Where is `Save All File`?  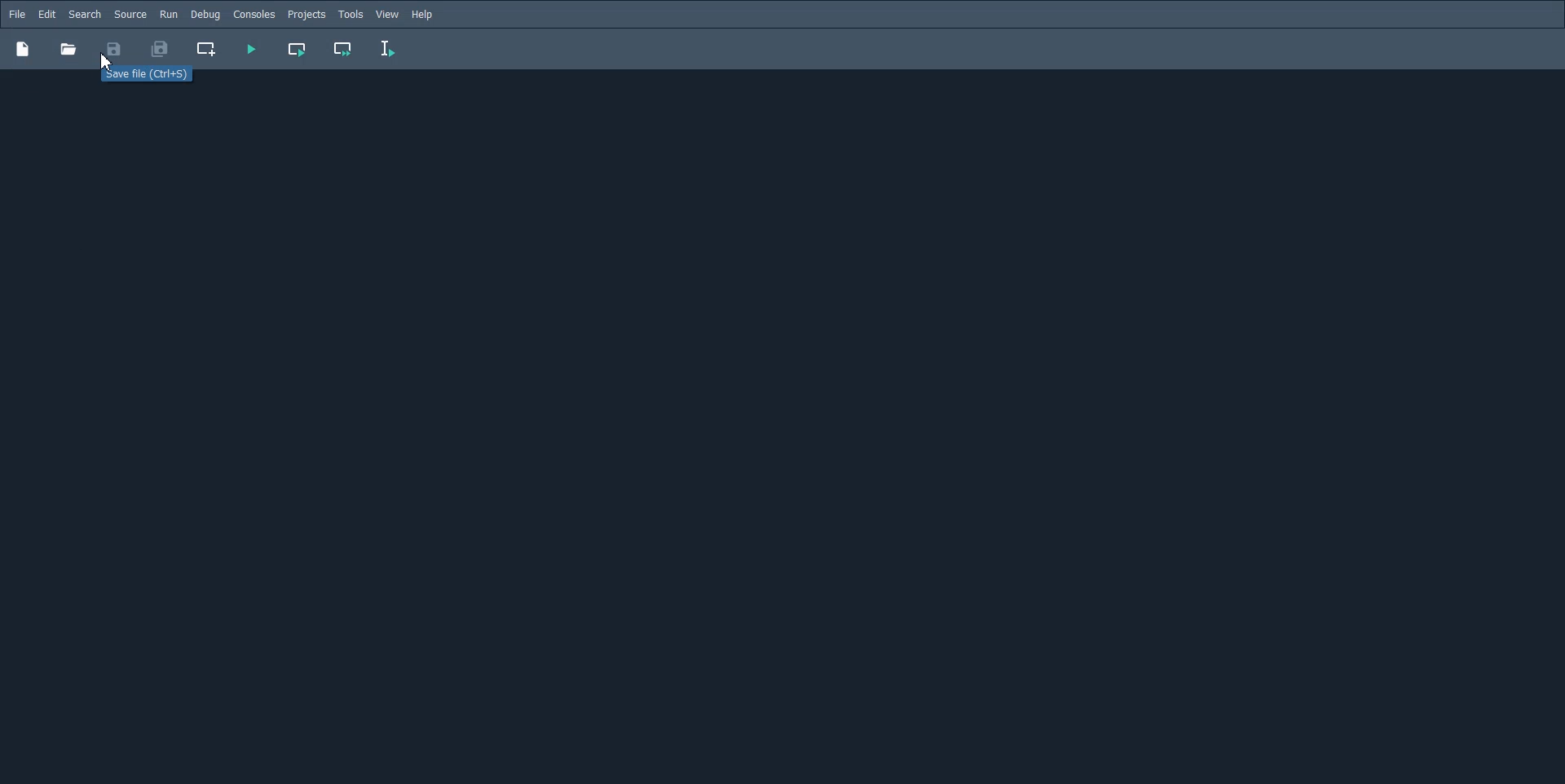 Save All File is located at coordinates (158, 49).